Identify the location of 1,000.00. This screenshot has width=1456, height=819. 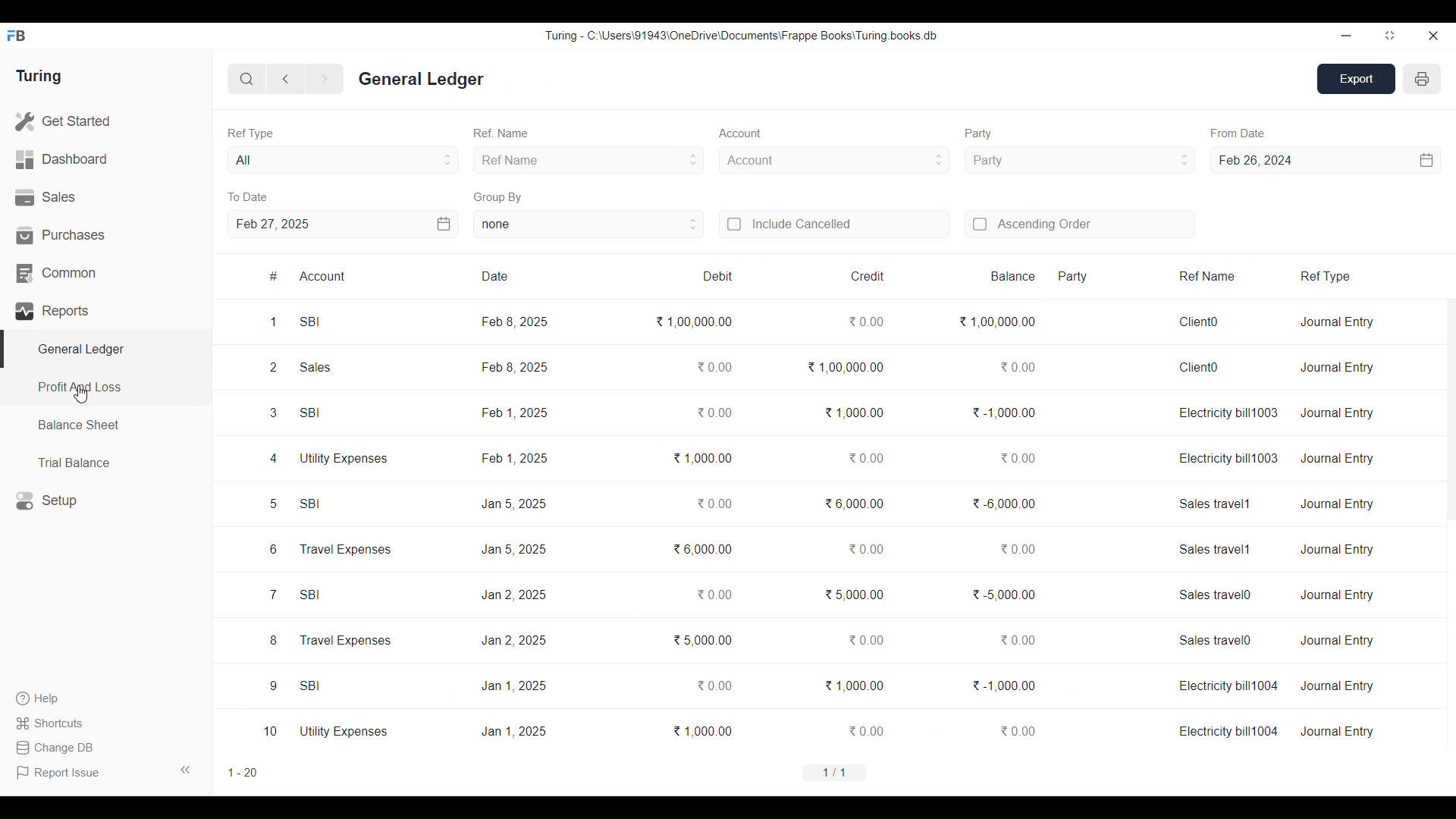
(702, 458).